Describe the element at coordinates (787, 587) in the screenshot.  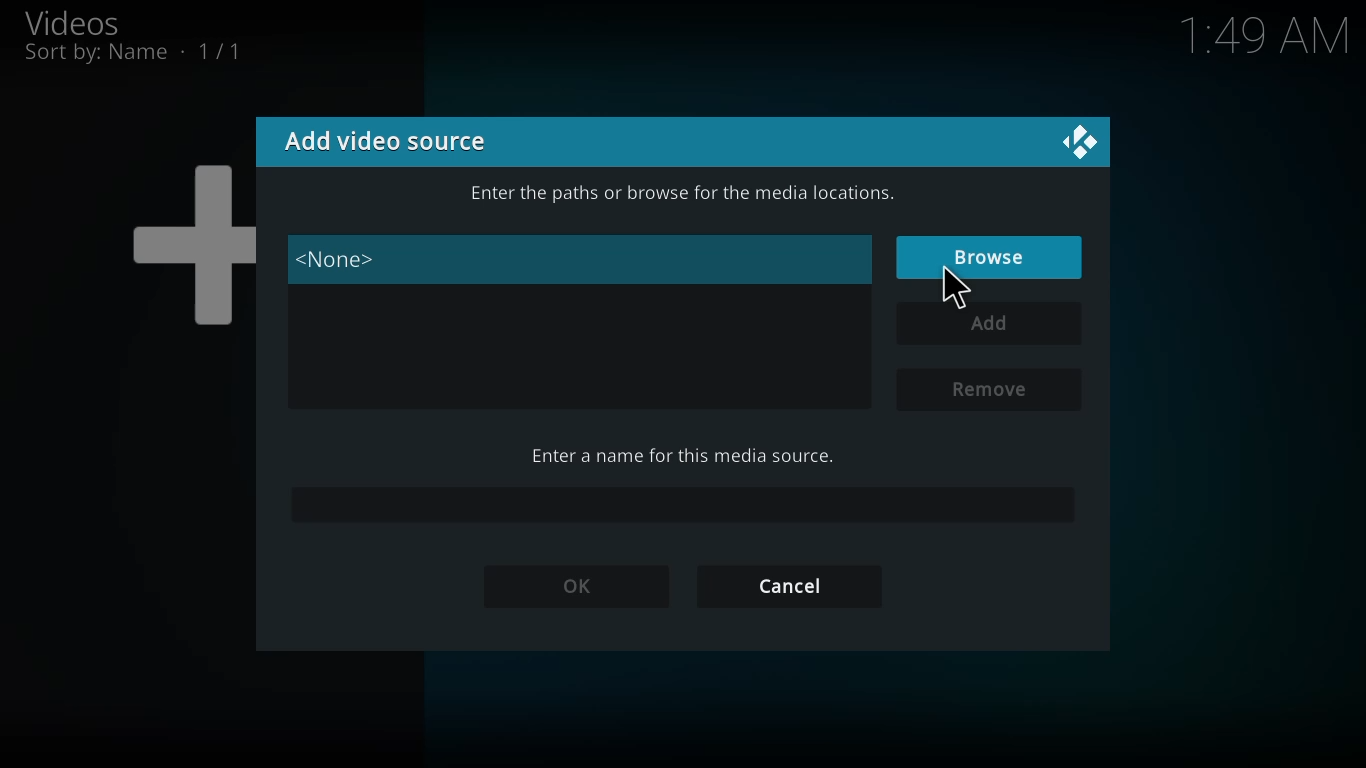
I see `cancel` at that location.